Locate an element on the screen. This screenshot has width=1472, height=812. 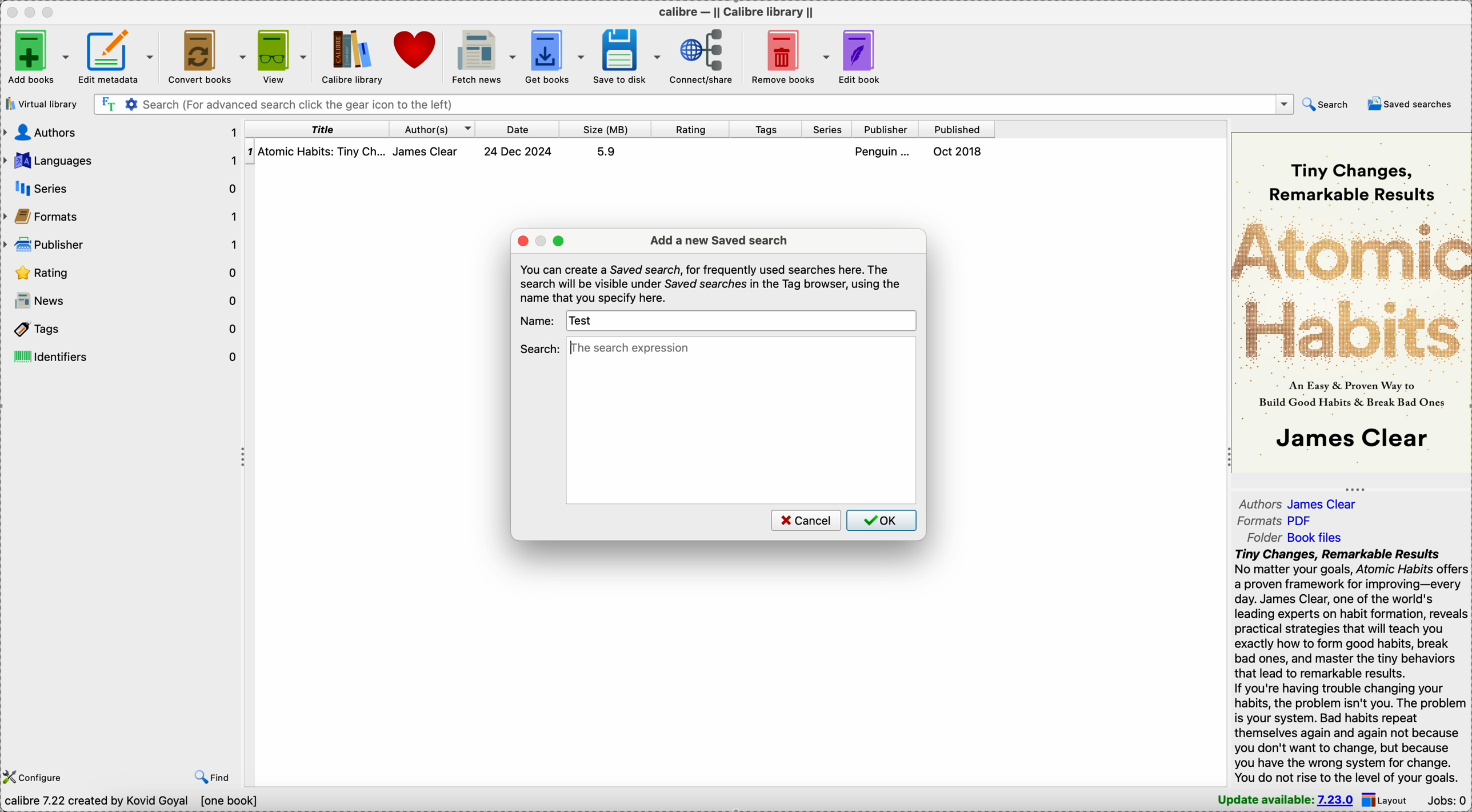
formats PDF is located at coordinates (1275, 522).